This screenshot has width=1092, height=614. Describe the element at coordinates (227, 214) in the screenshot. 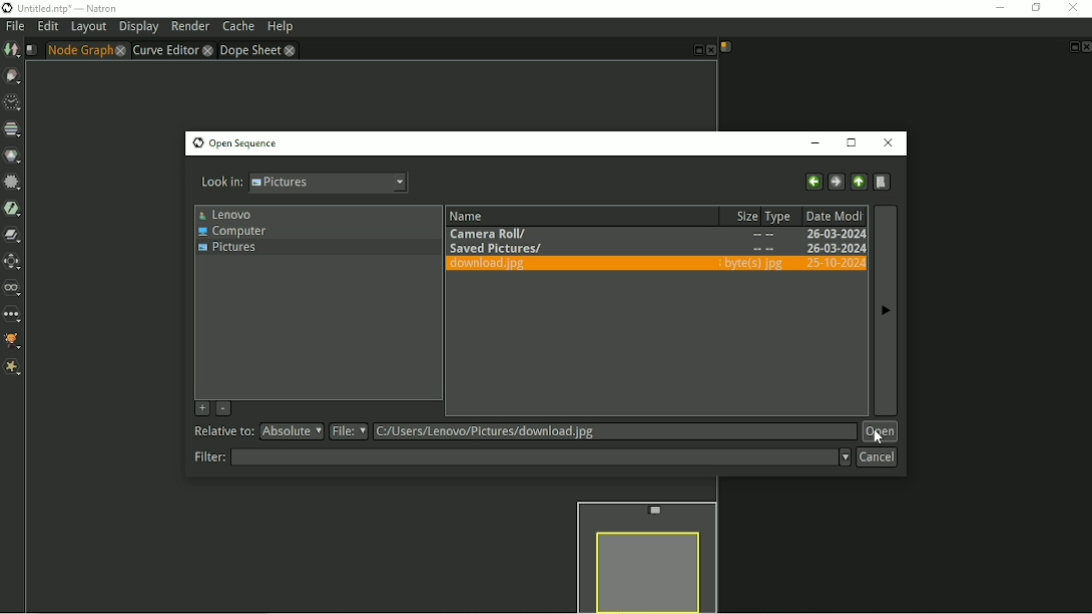

I see `Lenovo` at that location.